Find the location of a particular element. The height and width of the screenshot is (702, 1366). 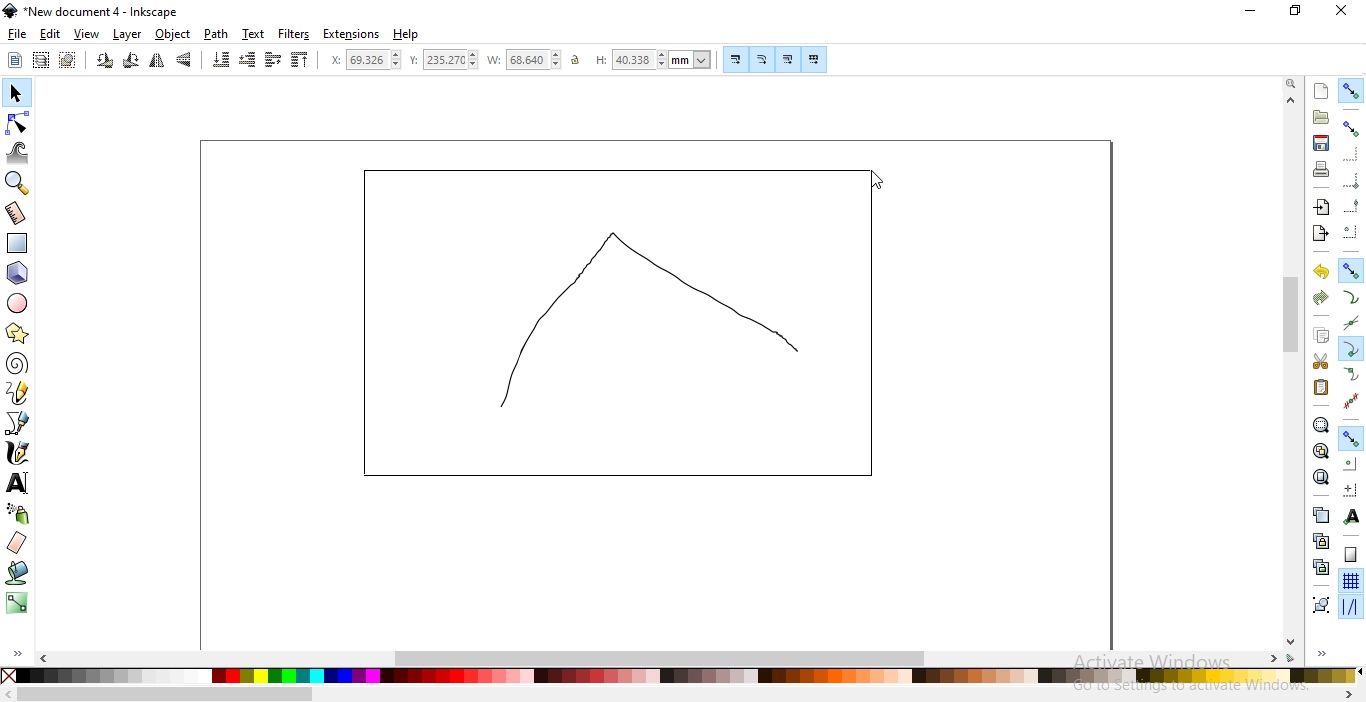

spray objects by scuplting or painting is located at coordinates (19, 513).